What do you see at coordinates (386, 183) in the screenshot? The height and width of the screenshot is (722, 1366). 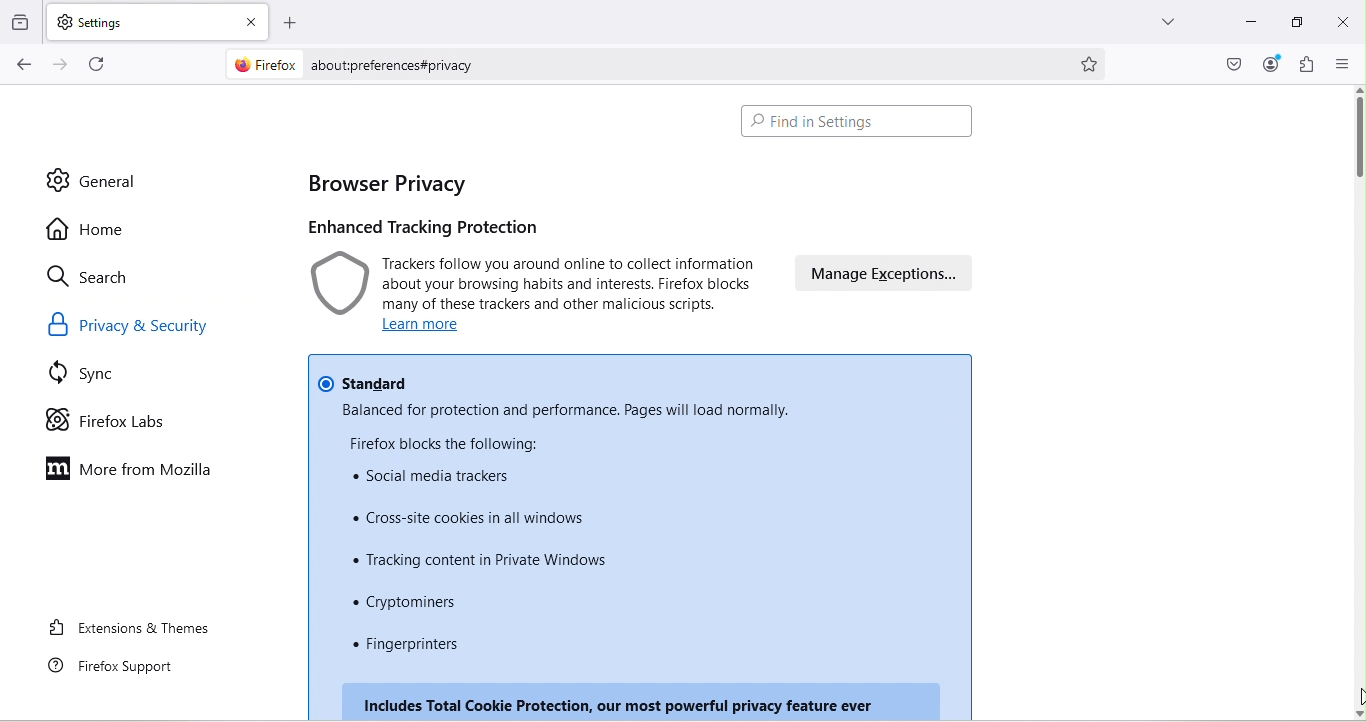 I see `Browser Privacy` at bounding box center [386, 183].